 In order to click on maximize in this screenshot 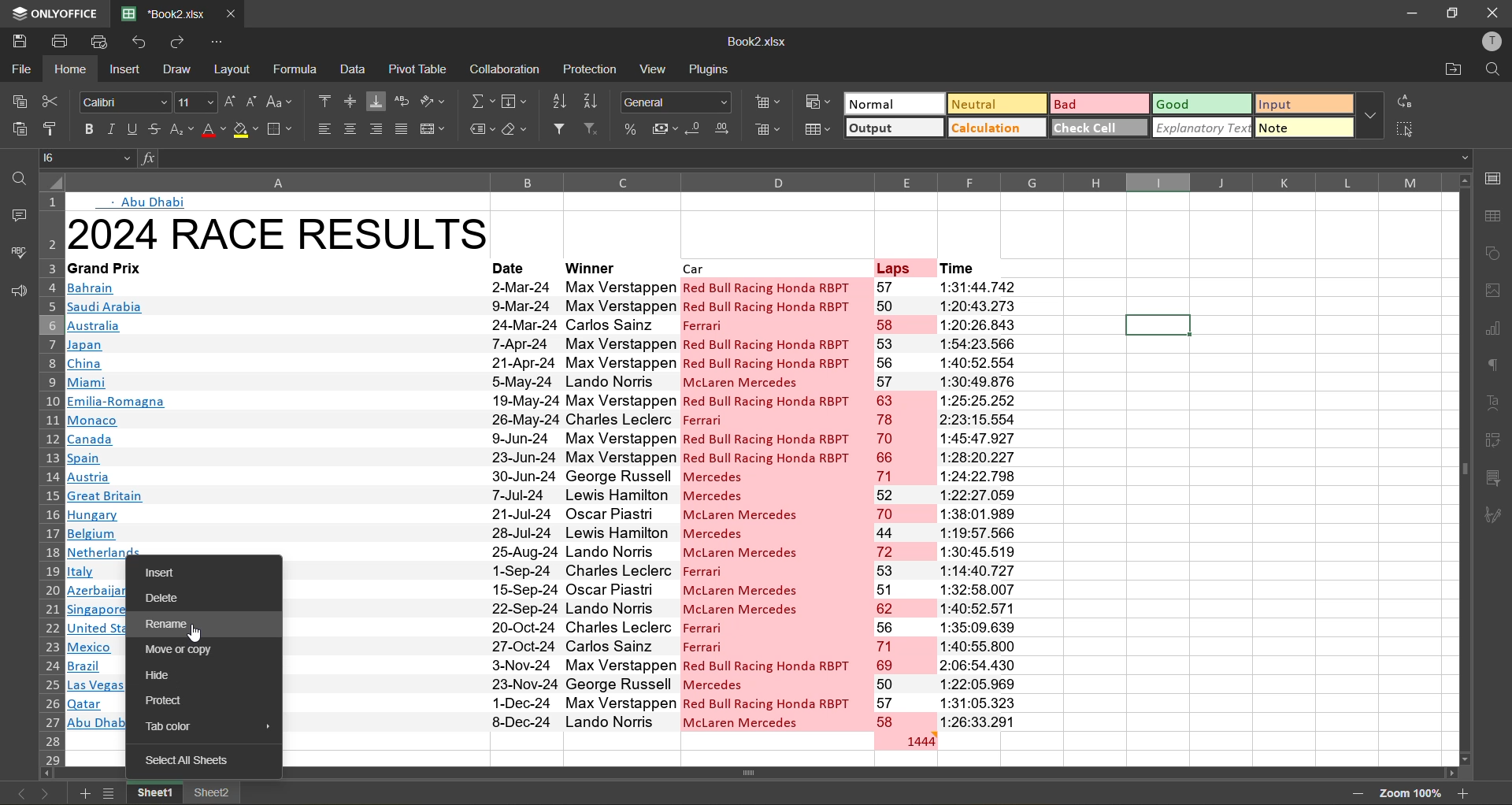, I will do `click(1450, 13)`.